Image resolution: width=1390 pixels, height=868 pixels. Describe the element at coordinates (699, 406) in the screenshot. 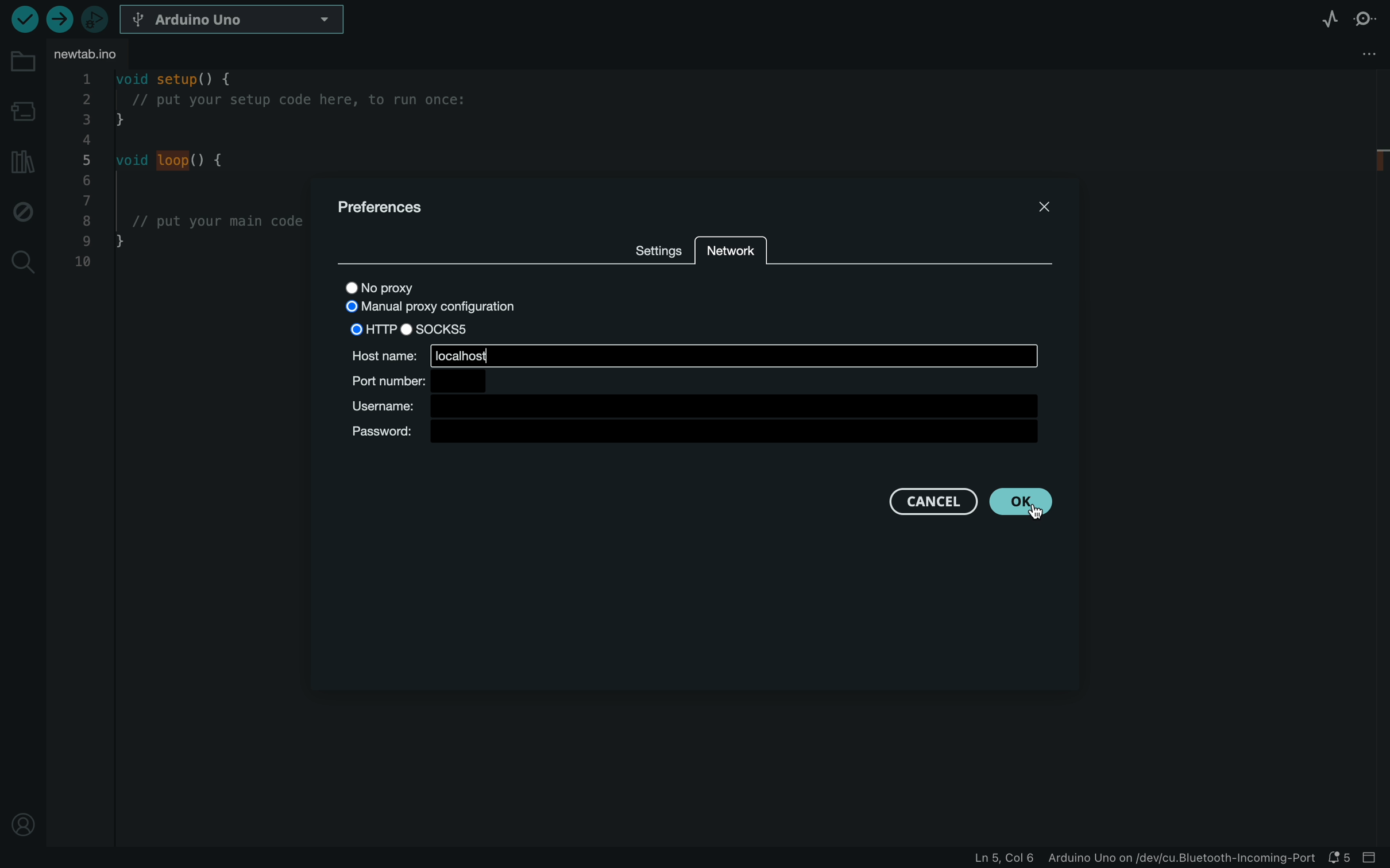

I see `username` at that location.